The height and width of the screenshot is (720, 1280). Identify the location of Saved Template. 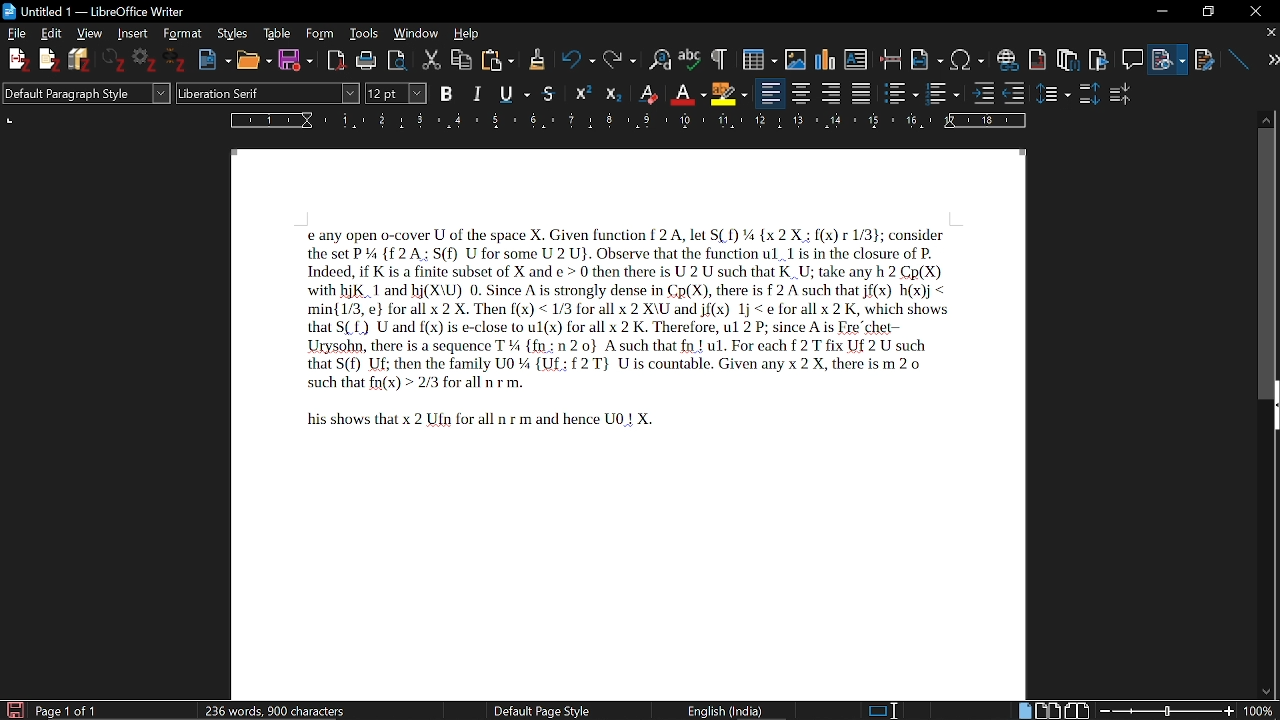
(628, 423).